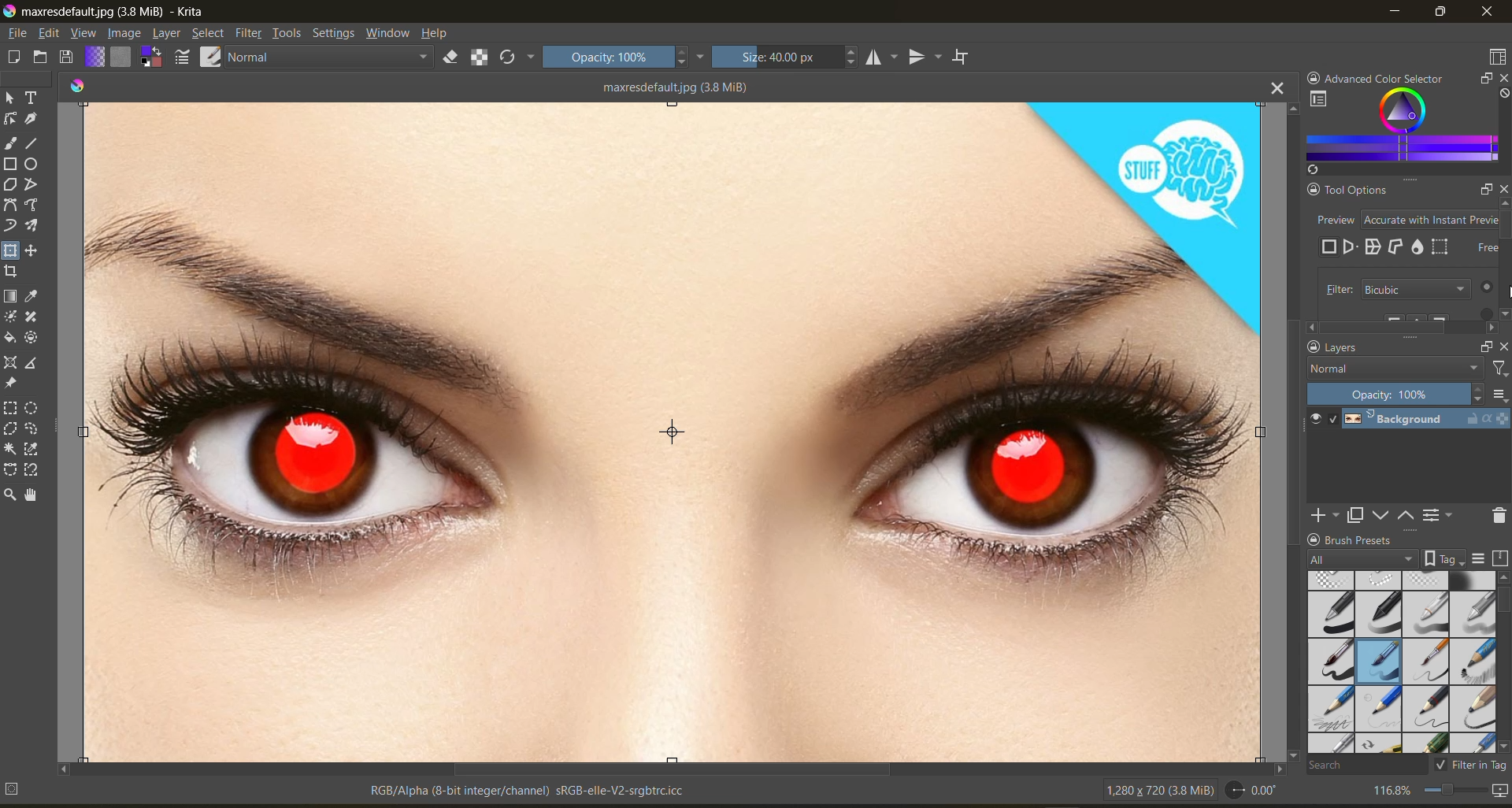  What do you see at coordinates (671, 86) in the screenshot?
I see `maxresdefault.jpg (3.8 MiB)` at bounding box center [671, 86].